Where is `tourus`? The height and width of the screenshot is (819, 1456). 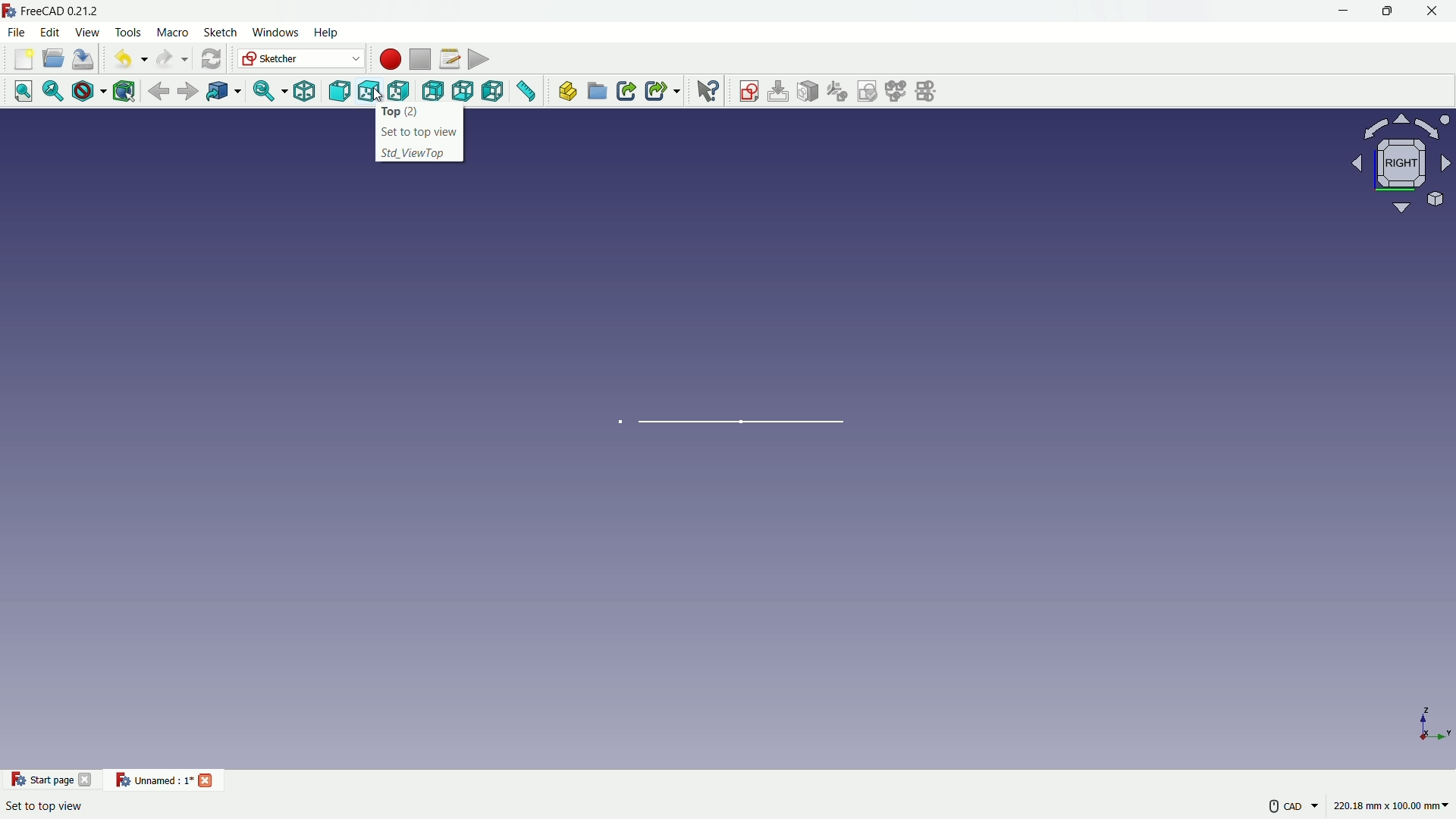 tourus is located at coordinates (1429, 727).